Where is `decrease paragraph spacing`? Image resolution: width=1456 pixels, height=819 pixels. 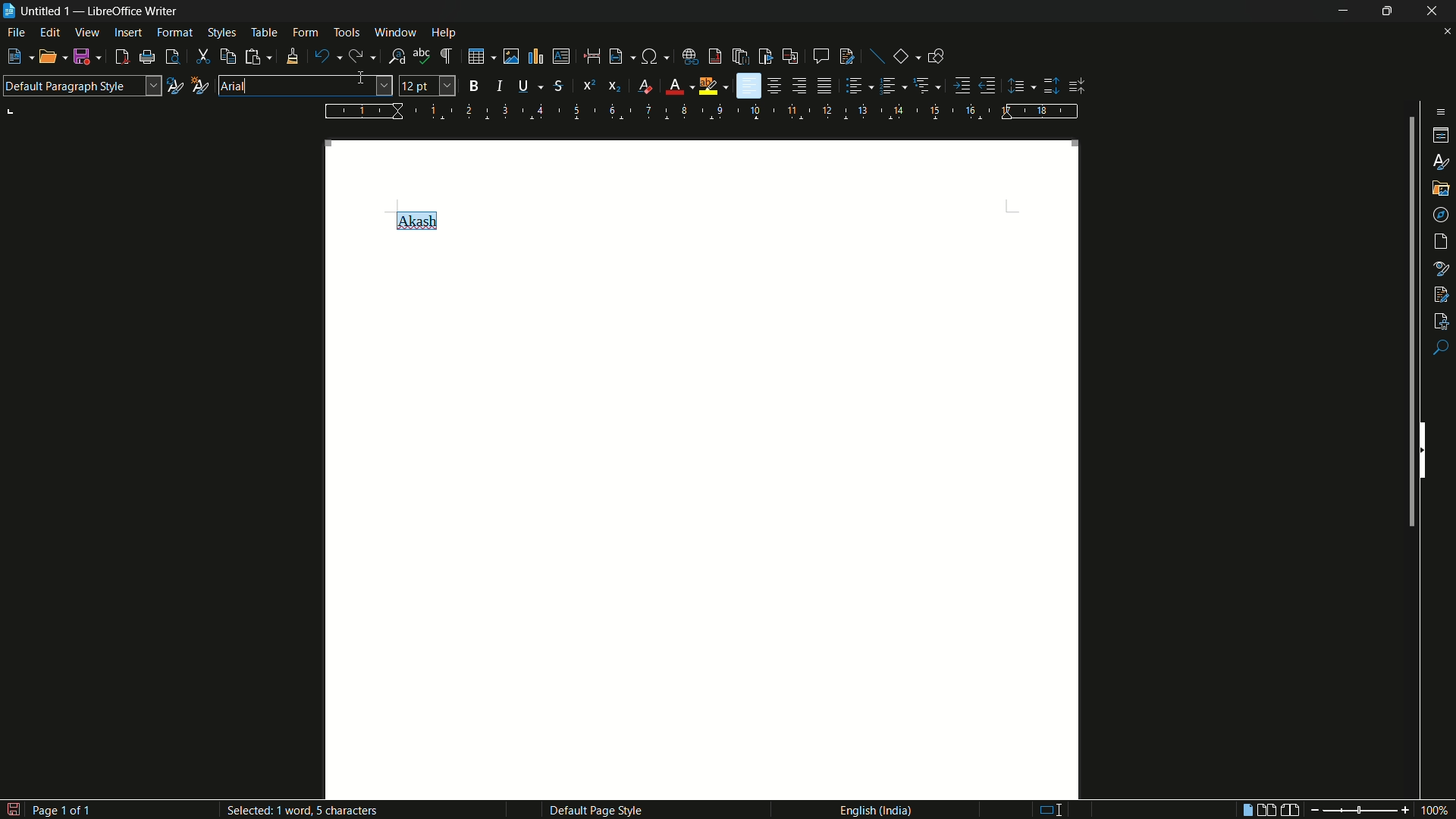 decrease paragraph spacing is located at coordinates (1078, 86).